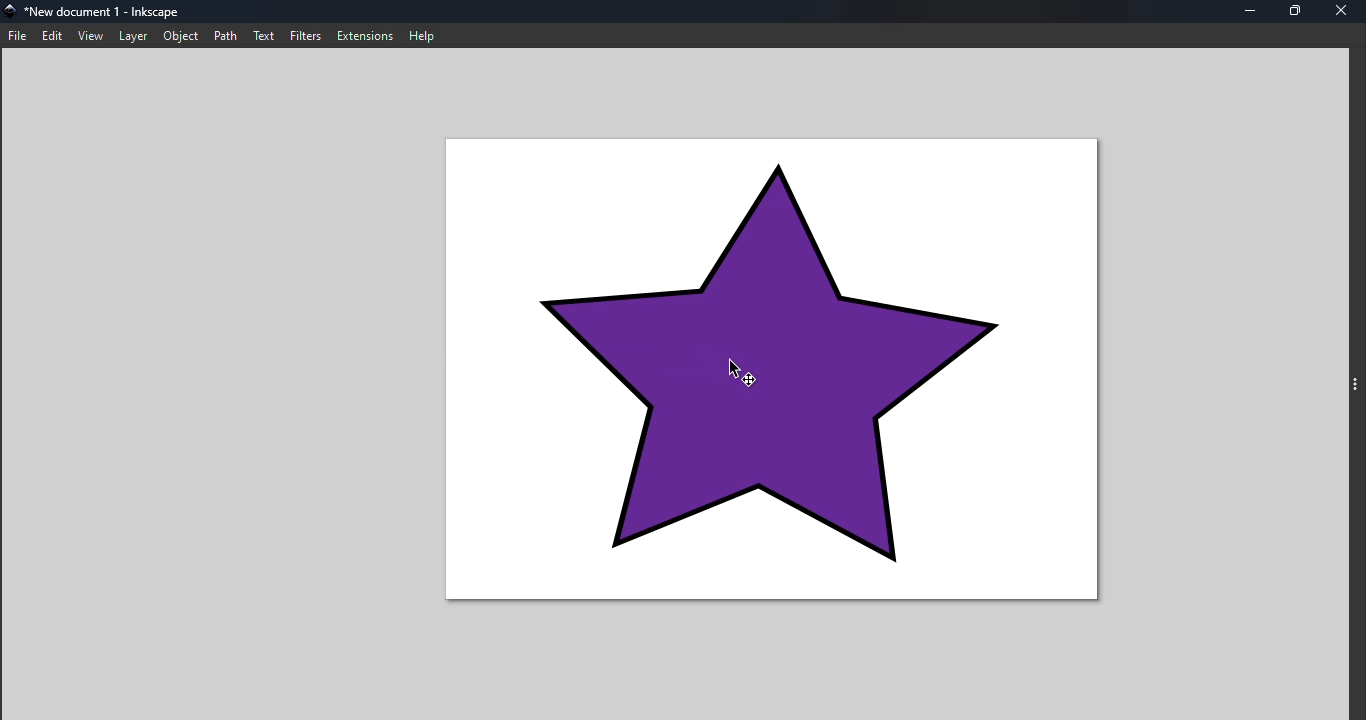  What do you see at coordinates (304, 34) in the screenshot?
I see `Filters` at bounding box center [304, 34].